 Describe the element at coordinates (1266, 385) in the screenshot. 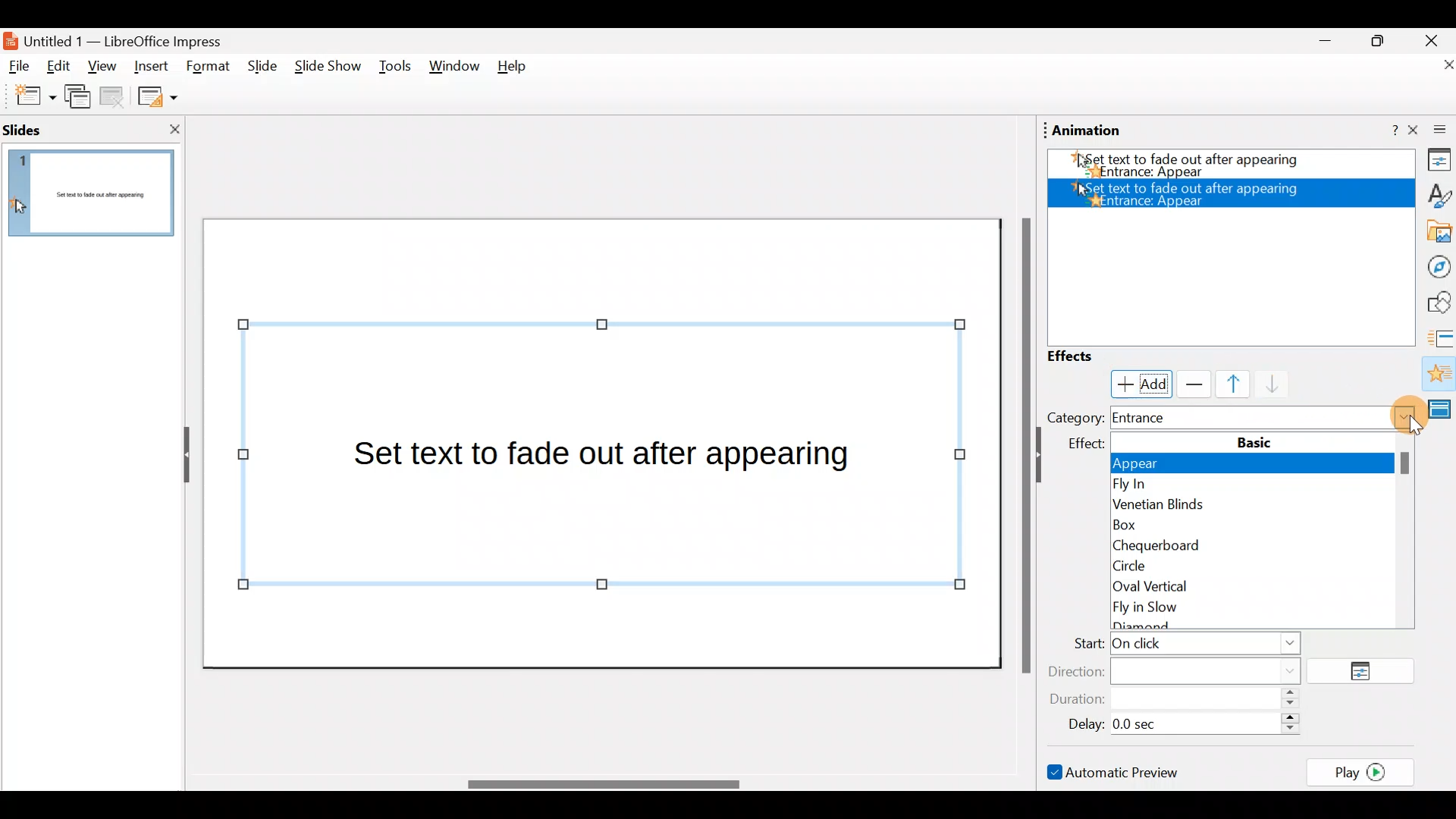

I see `Move down` at that location.